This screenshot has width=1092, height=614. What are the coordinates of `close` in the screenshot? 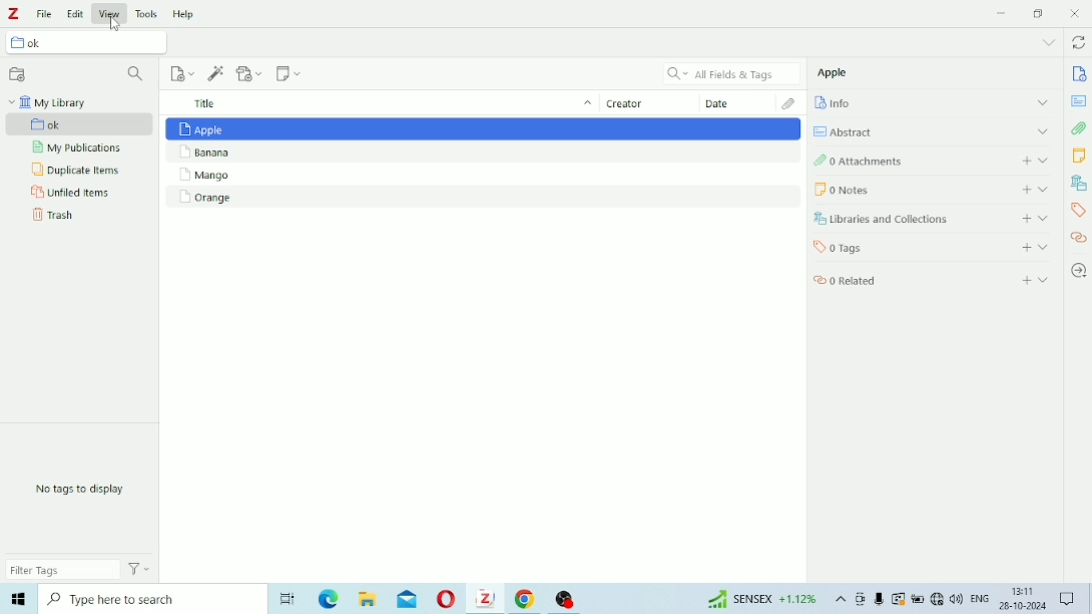 It's located at (1078, 13).